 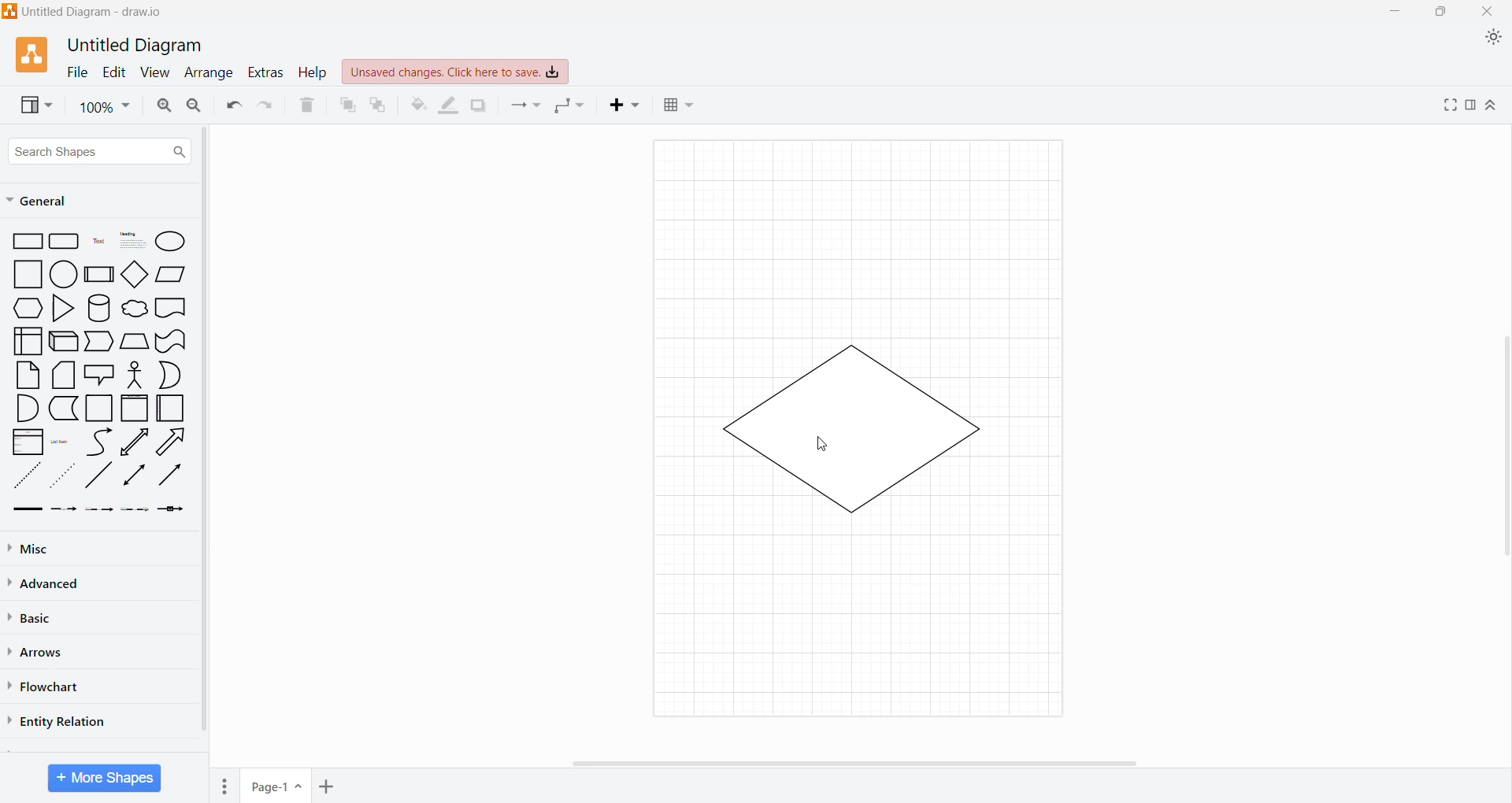 What do you see at coordinates (824, 446) in the screenshot?
I see `Cursor Position` at bounding box center [824, 446].